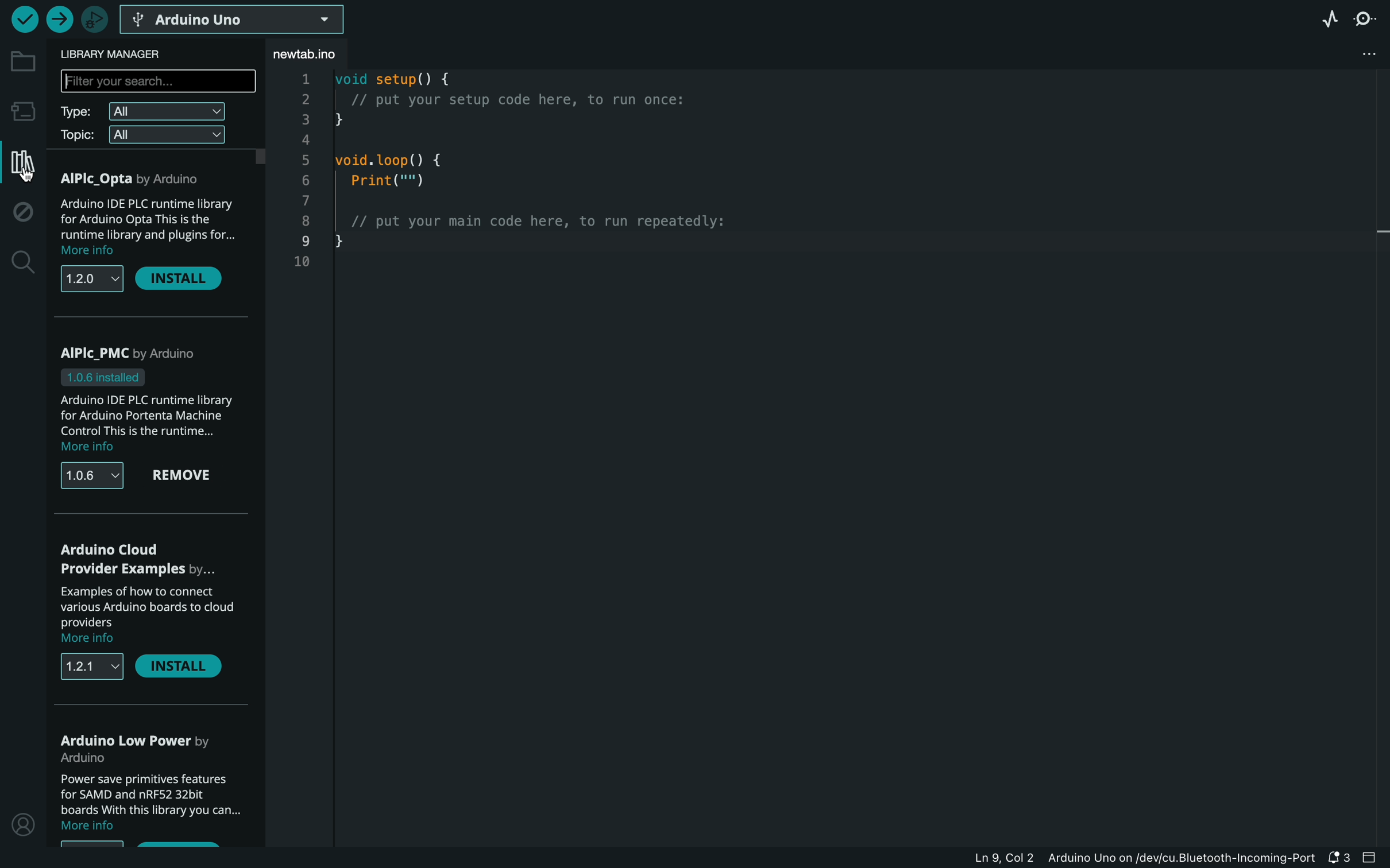 This screenshot has height=868, width=1390. I want to click on arduino low power, so click(140, 747).